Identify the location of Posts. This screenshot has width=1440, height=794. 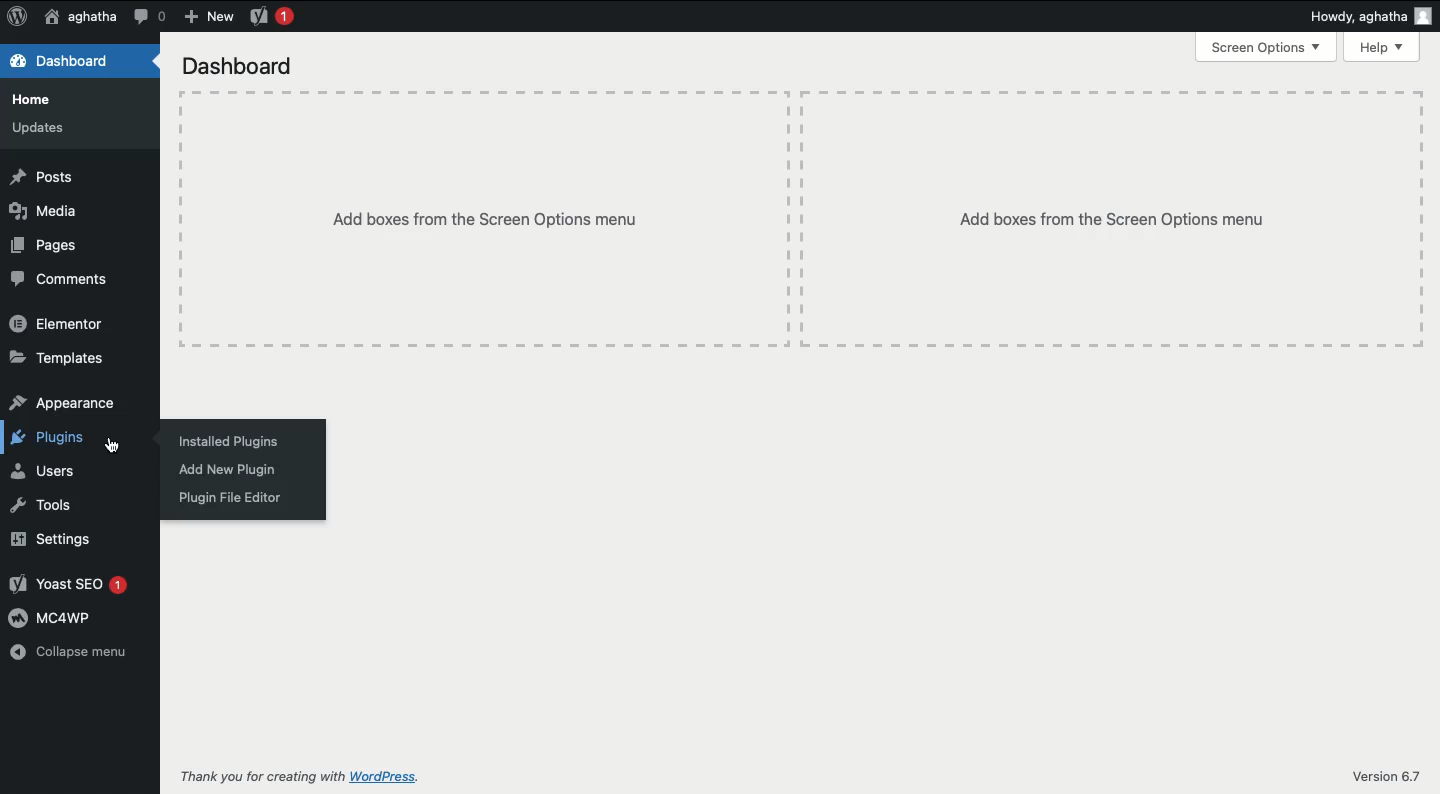
(40, 176).